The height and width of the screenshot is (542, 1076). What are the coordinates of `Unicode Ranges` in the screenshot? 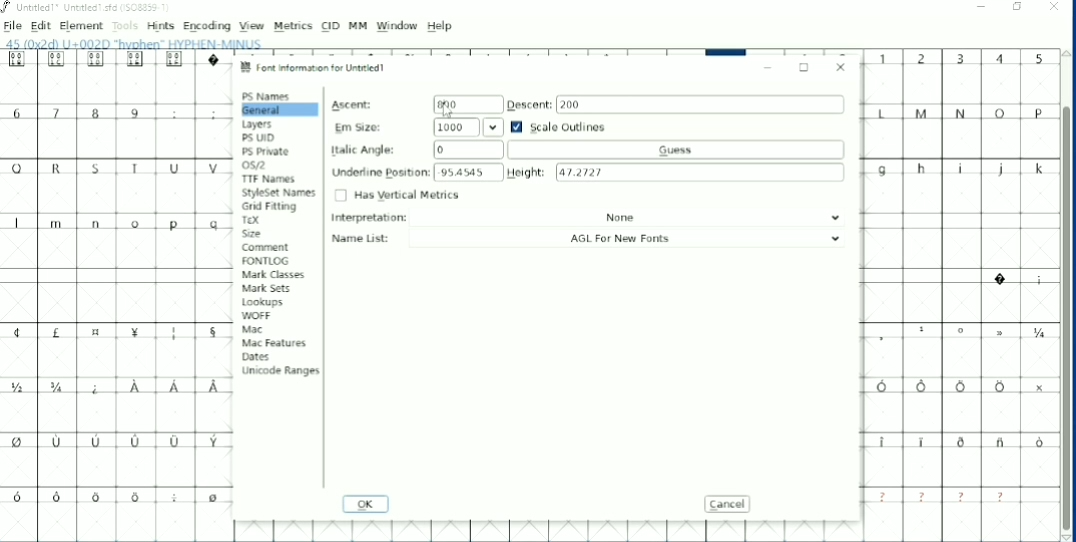 It's located at (280, 370).